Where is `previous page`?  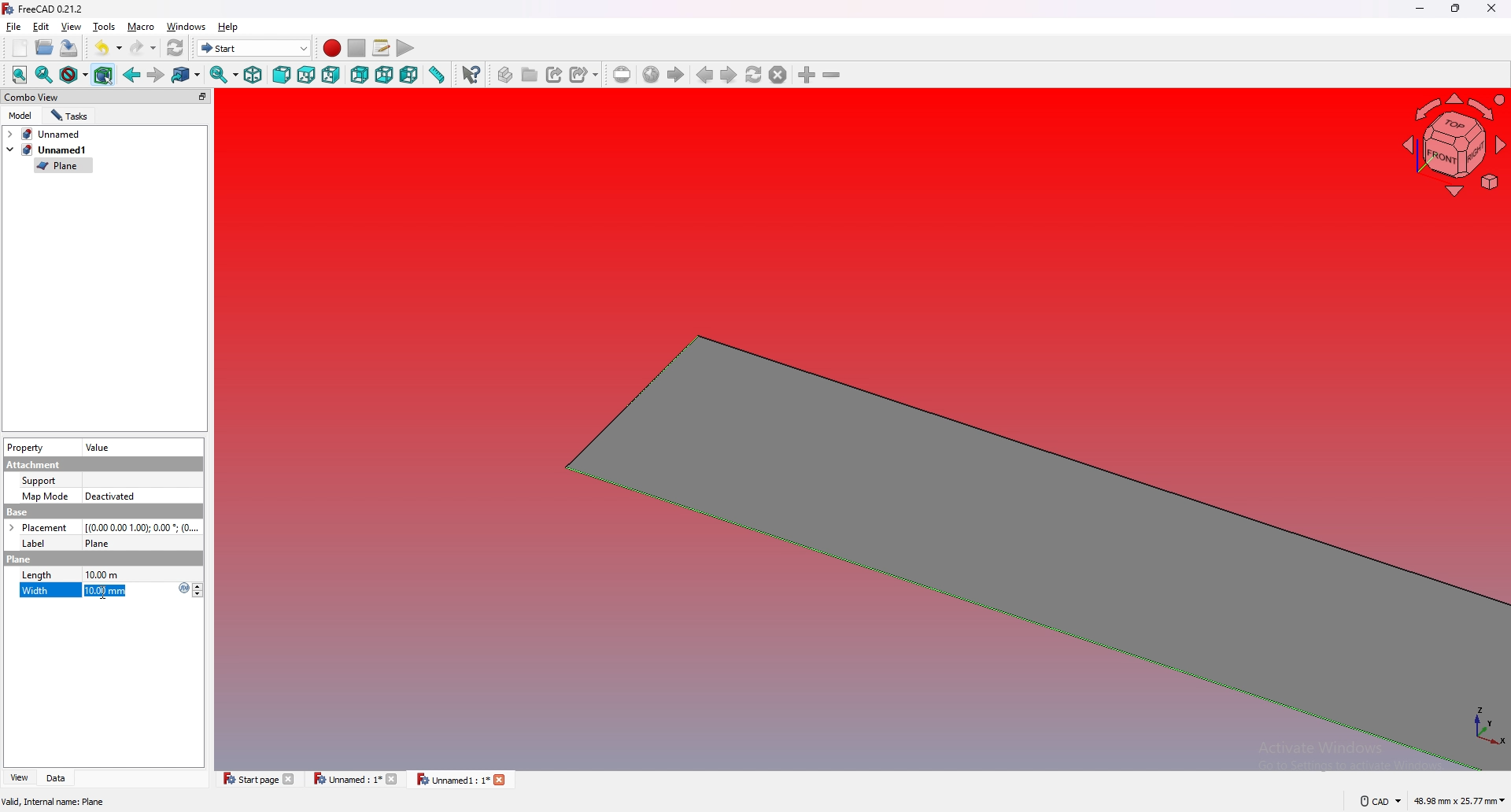
previous page is located at coordinates (706, 75).